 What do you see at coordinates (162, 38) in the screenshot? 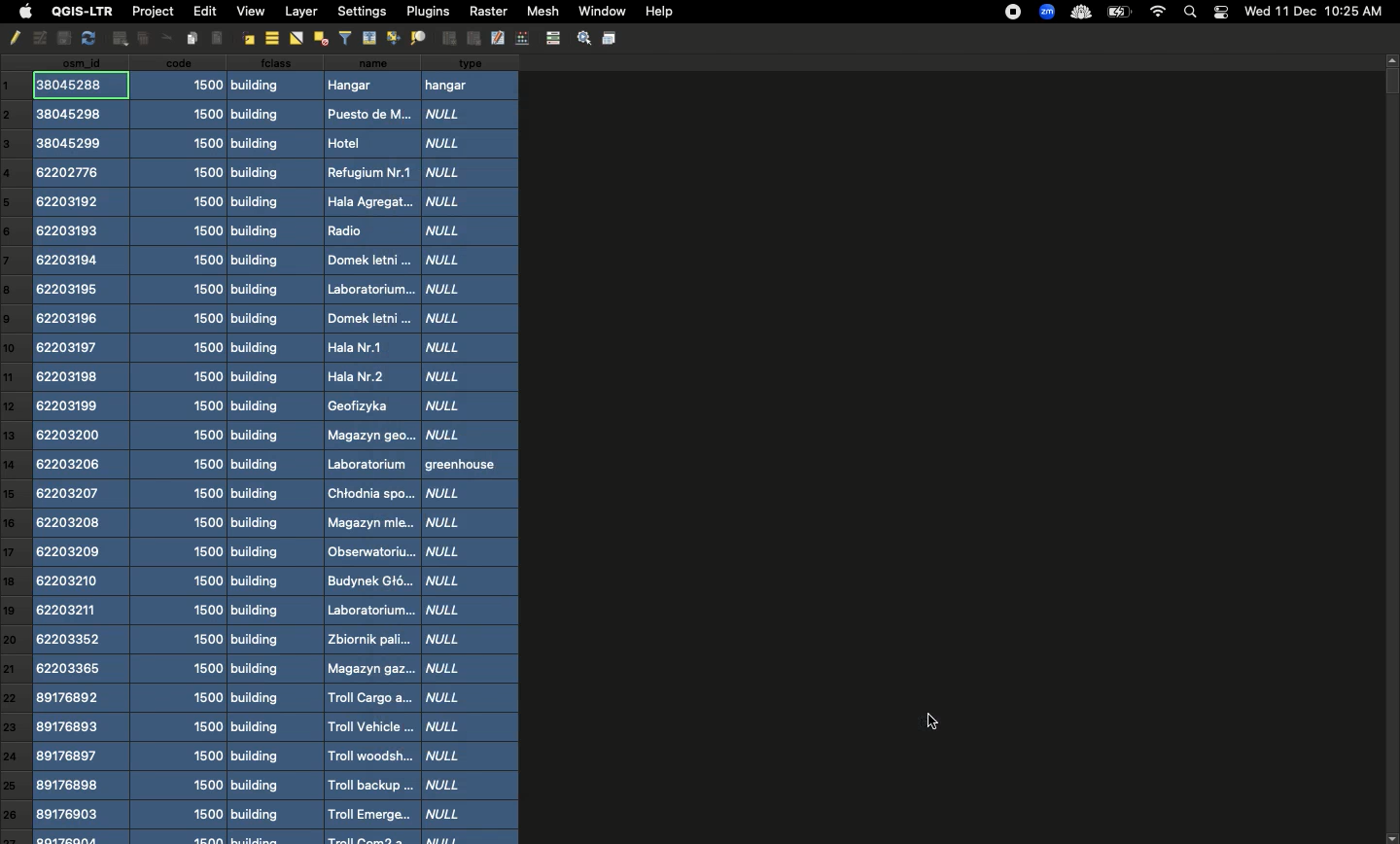
I see `` at bounding box center [162, 38].